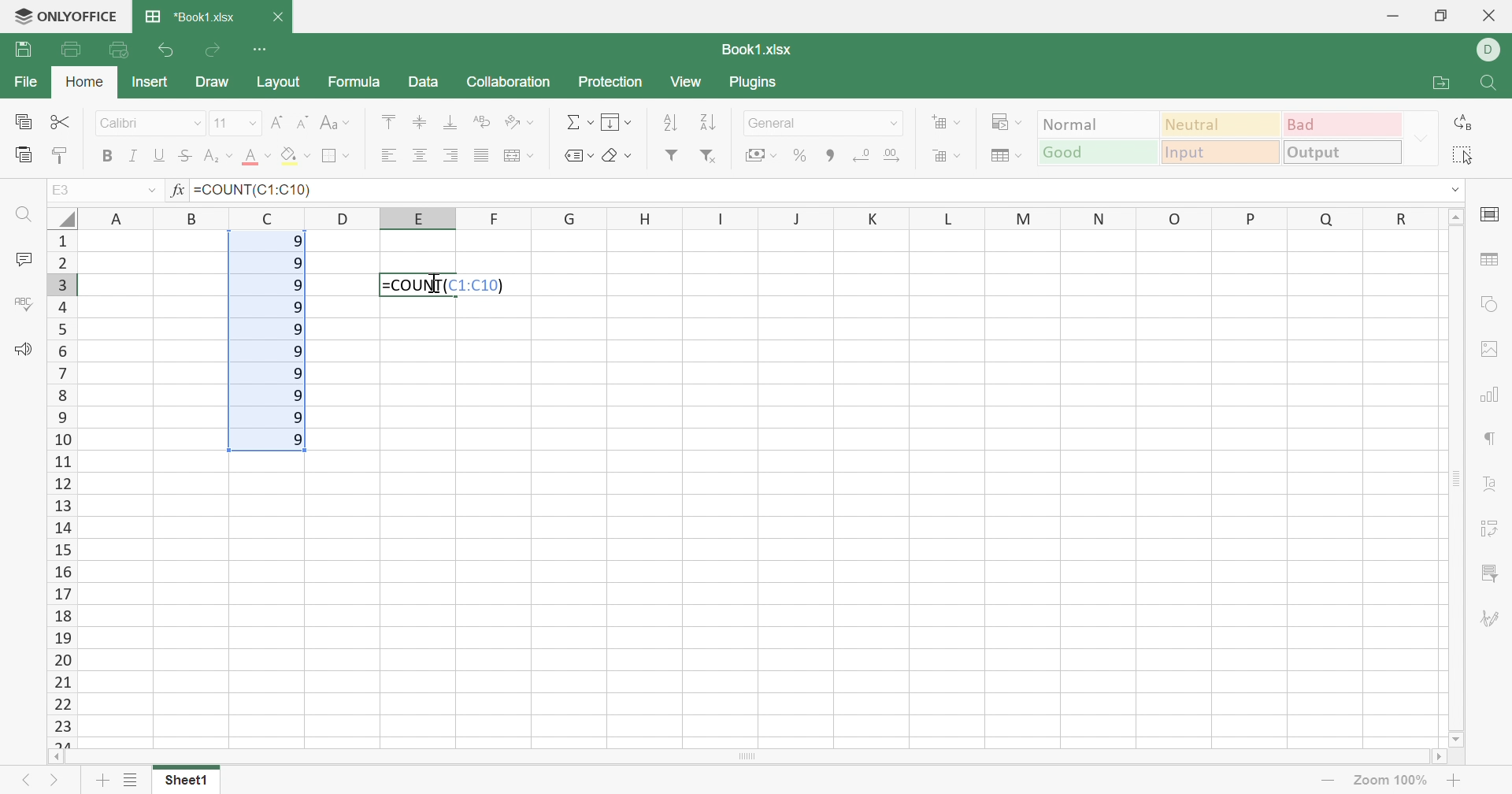  I want to click on Summation, so click(579, 123).